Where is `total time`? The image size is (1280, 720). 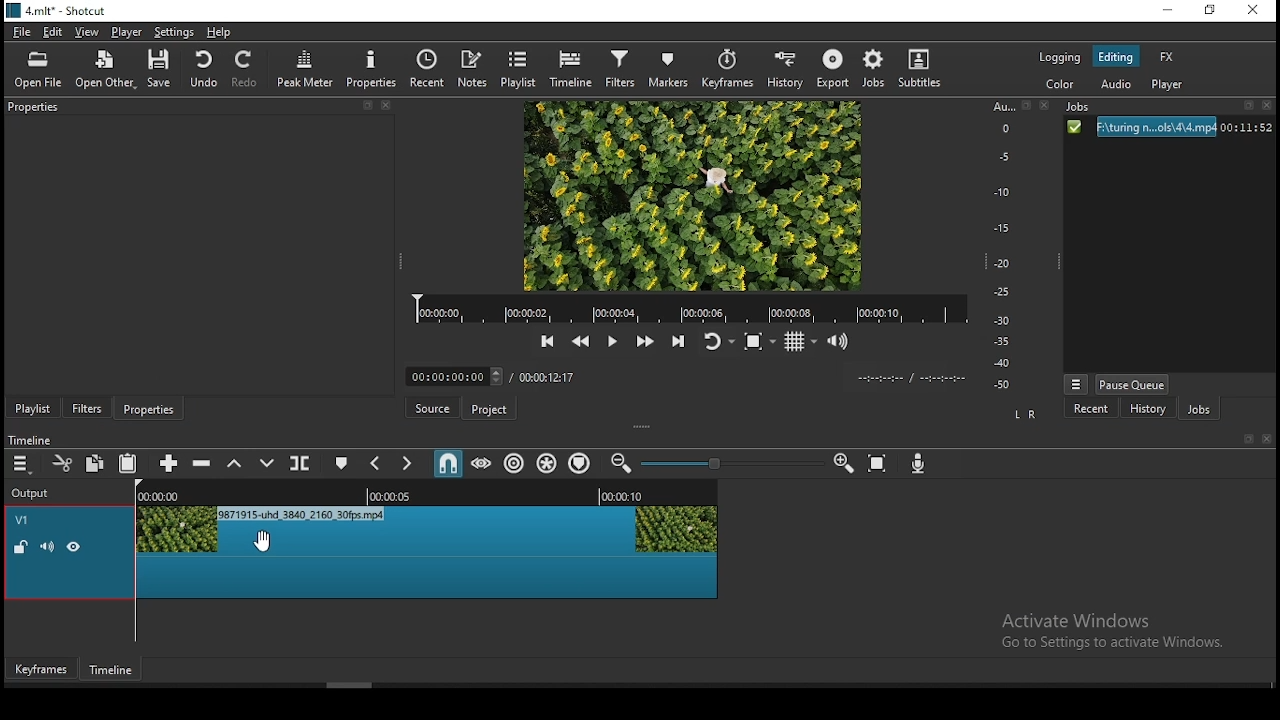 total time is located at coordinates (548, 377).